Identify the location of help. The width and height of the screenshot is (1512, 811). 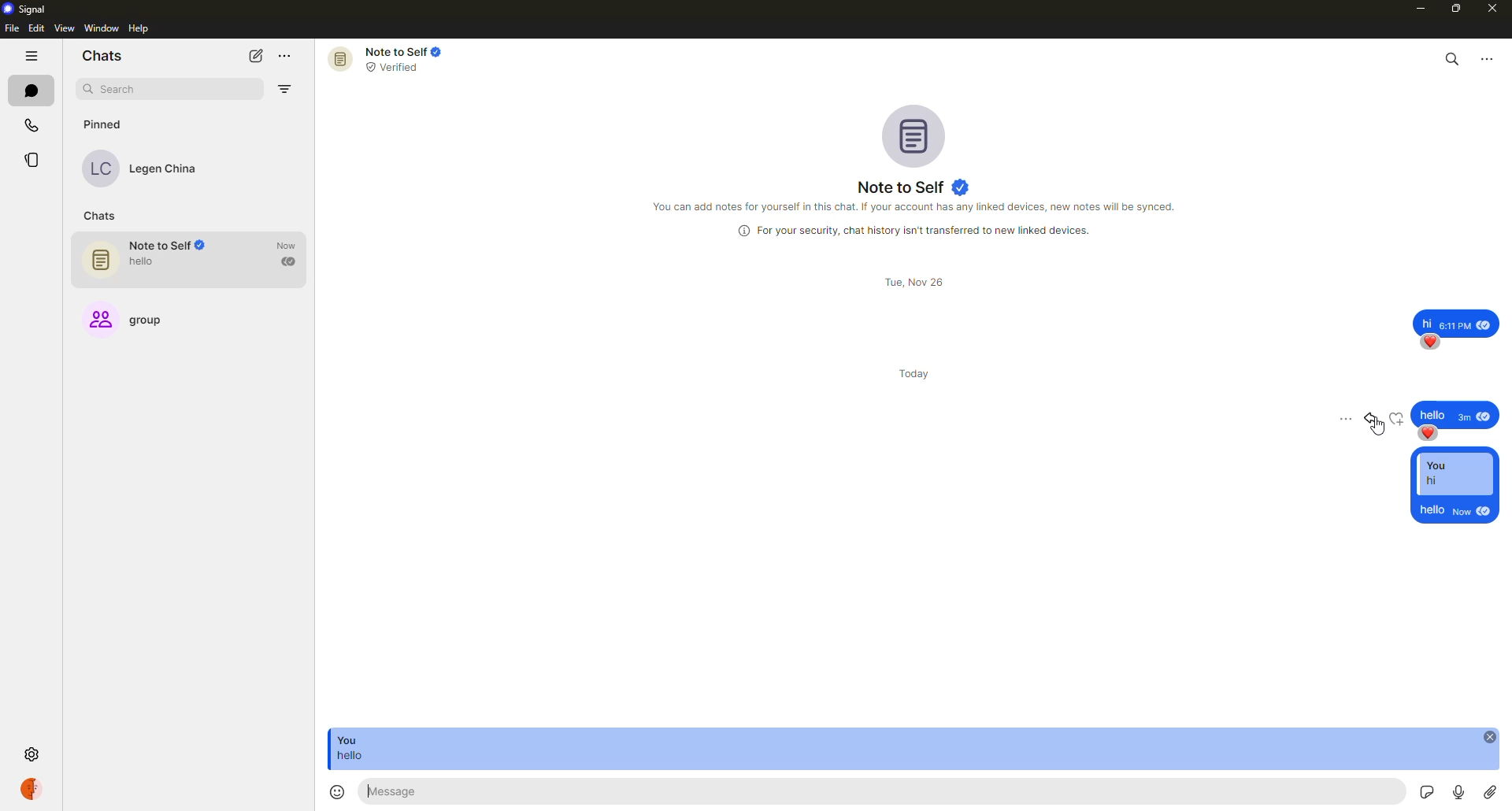
(138, 29).